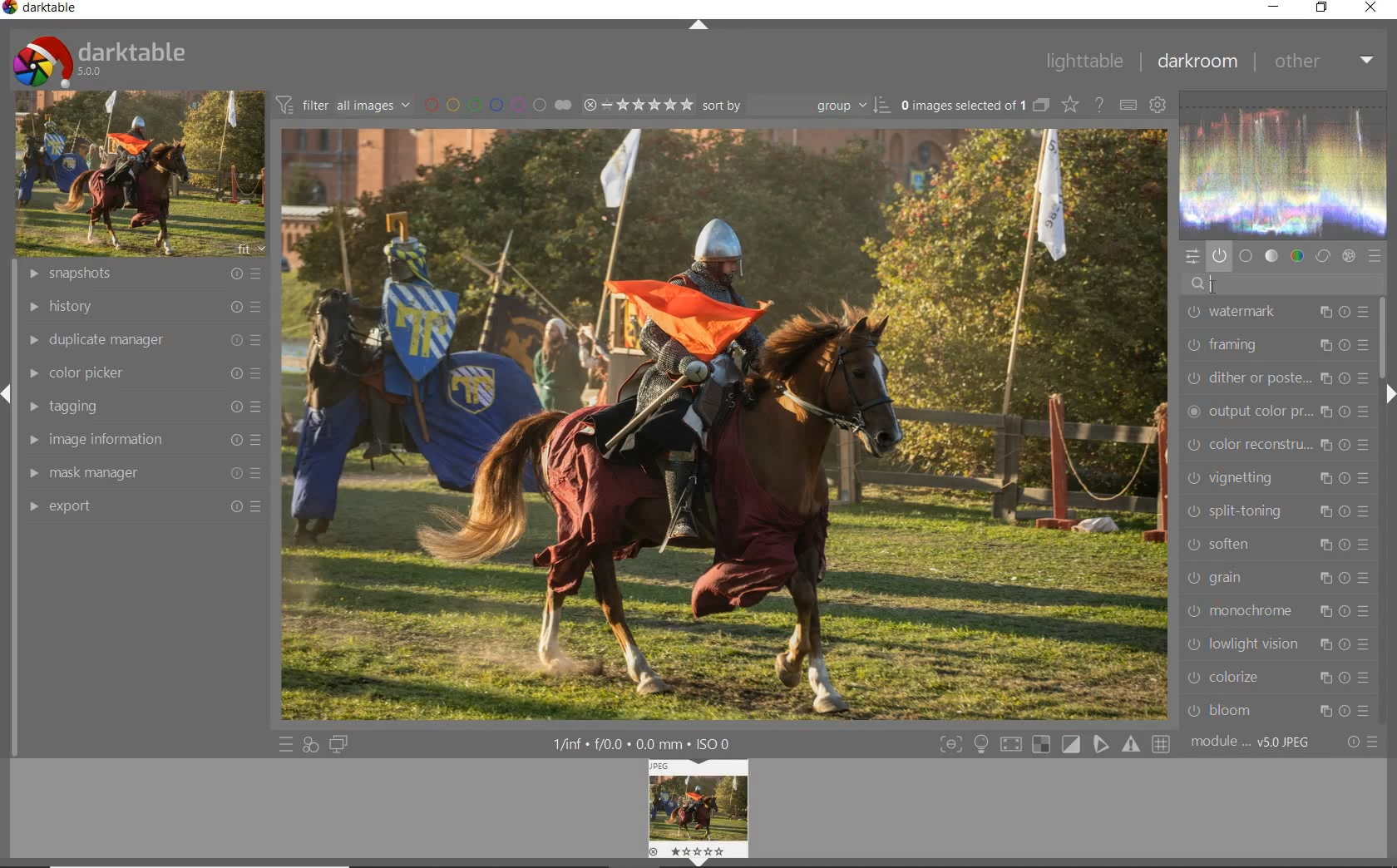 The width and height of the screenshot is (1397, 868). I want to click on bloom, so click(1276, 711).